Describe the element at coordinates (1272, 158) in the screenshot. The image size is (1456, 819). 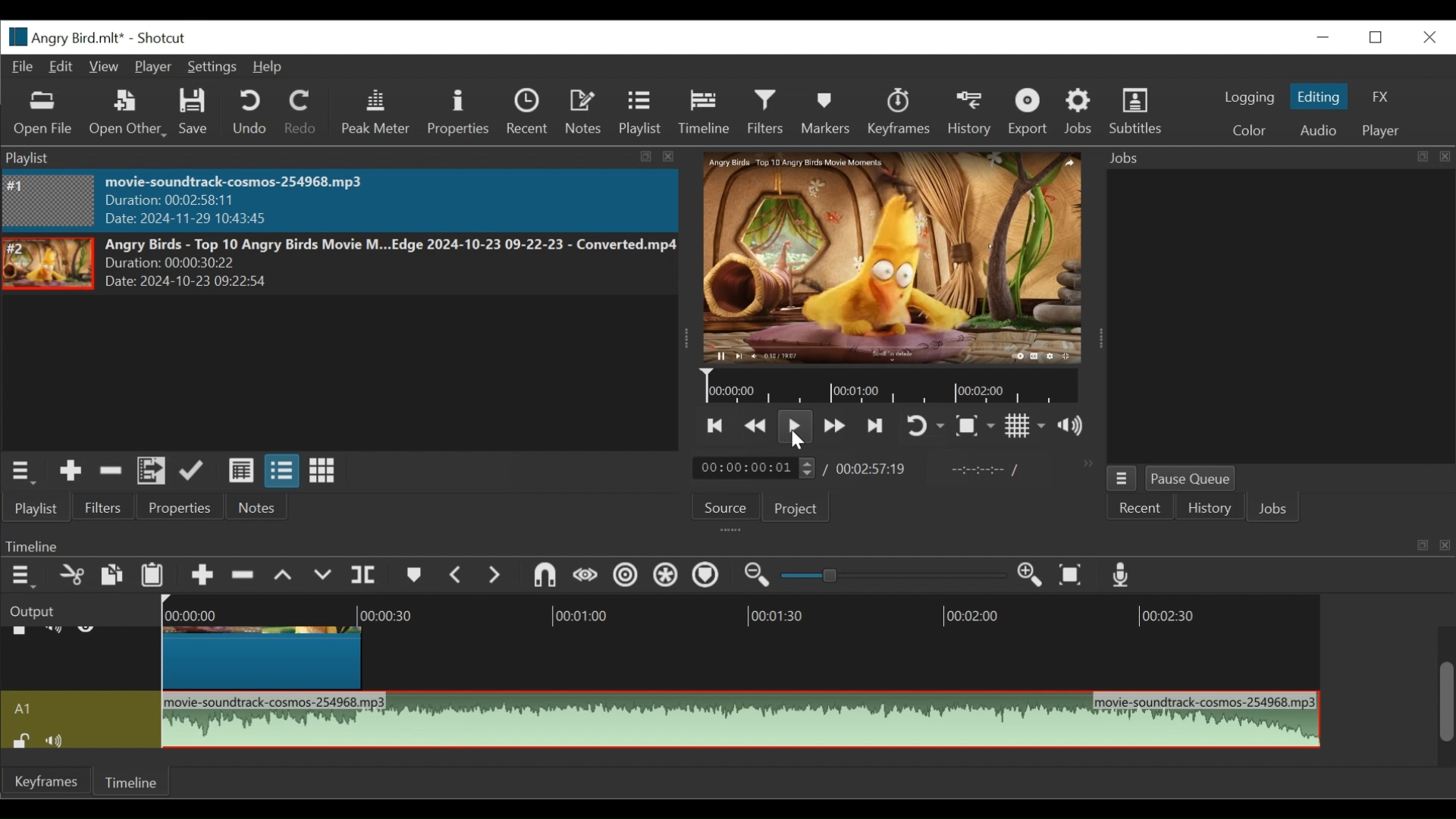
I see `Jobs Panel` at that location.